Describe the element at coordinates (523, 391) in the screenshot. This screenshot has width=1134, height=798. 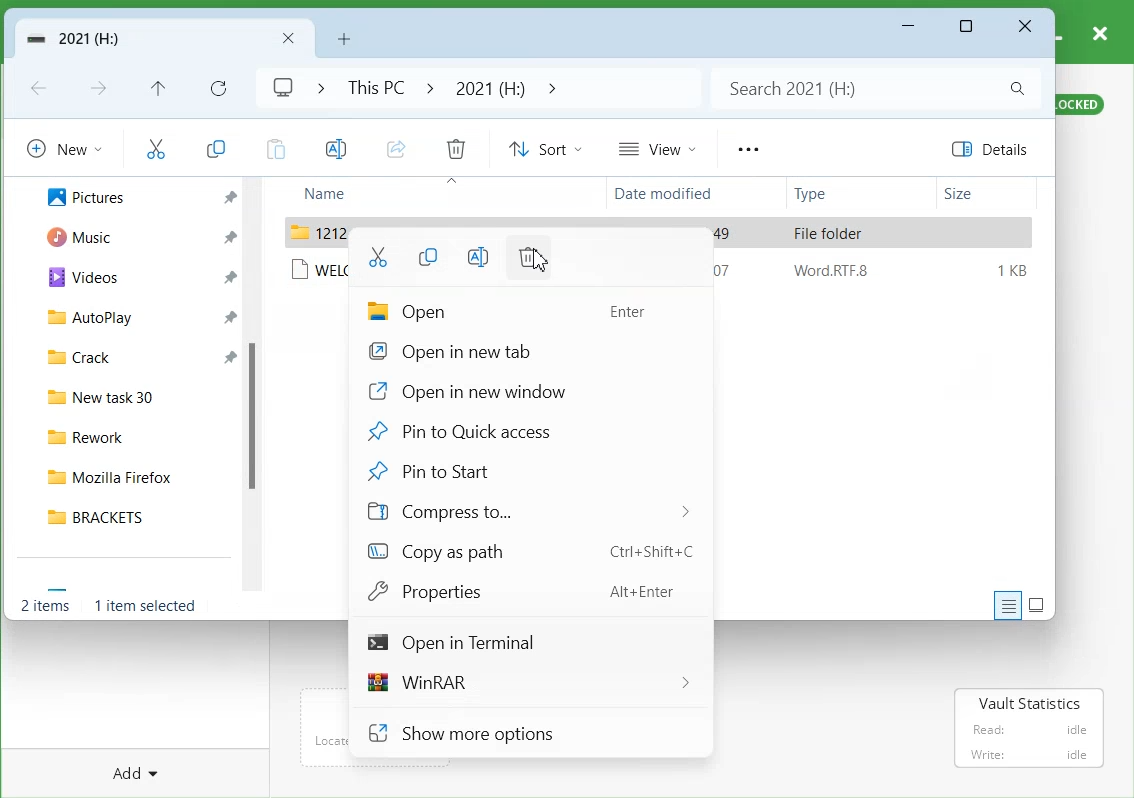
I see `Open in new window` at that location.